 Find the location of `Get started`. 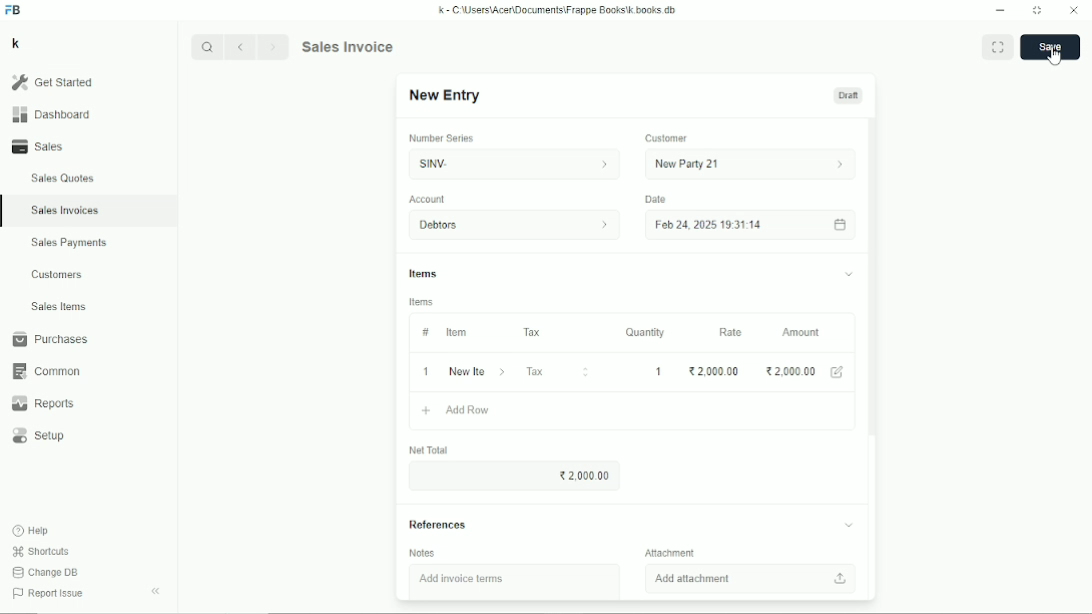

Get started is located at coordinates (51, 82).